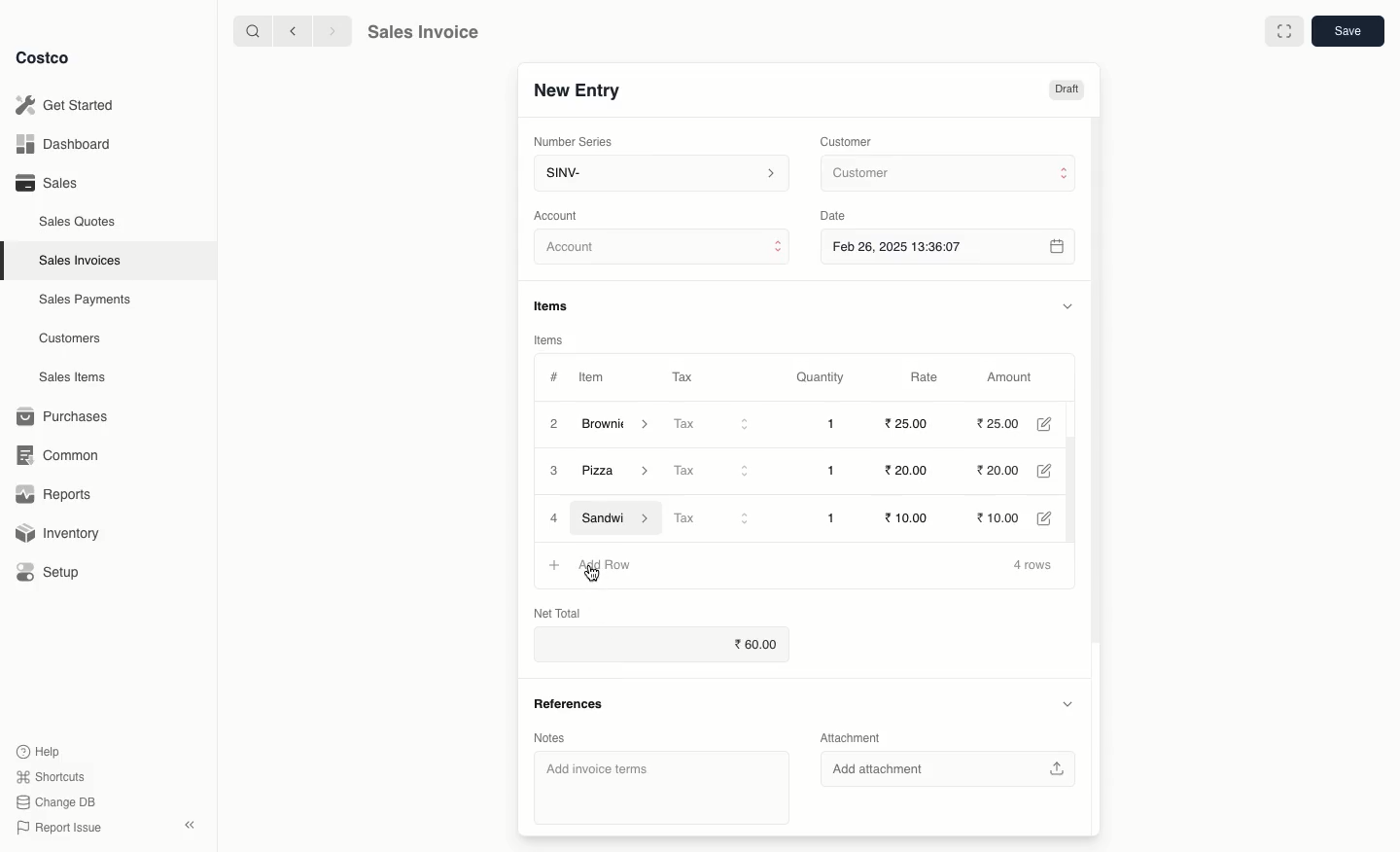 The height and width of the screenshot is (852, 1400). Describe the element at coordinates (713, 470) in the screenshot. I see `Tax` at that location.